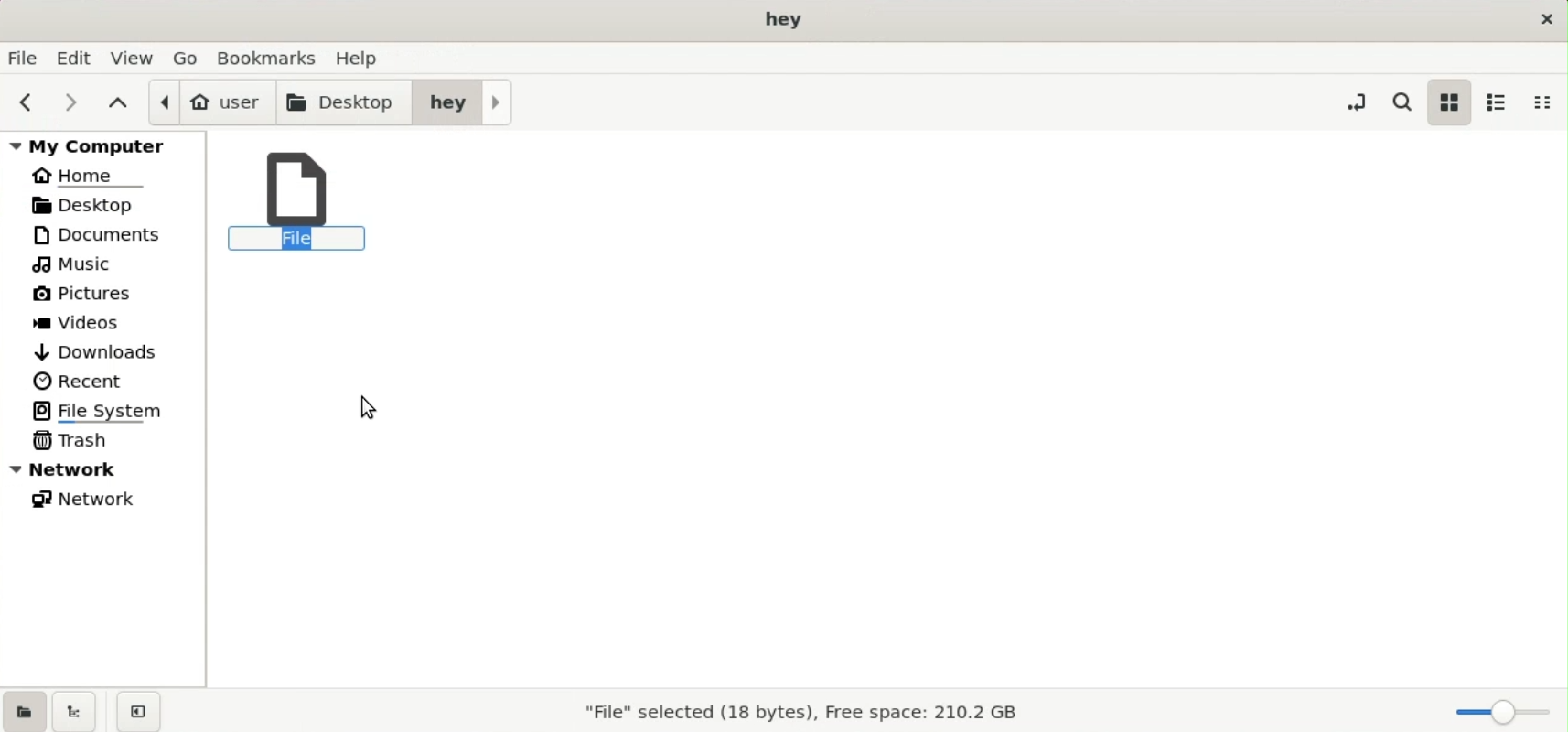  Describe the element at coordinates (74, 711) in the screenshot. I see `show treeview` at that location.